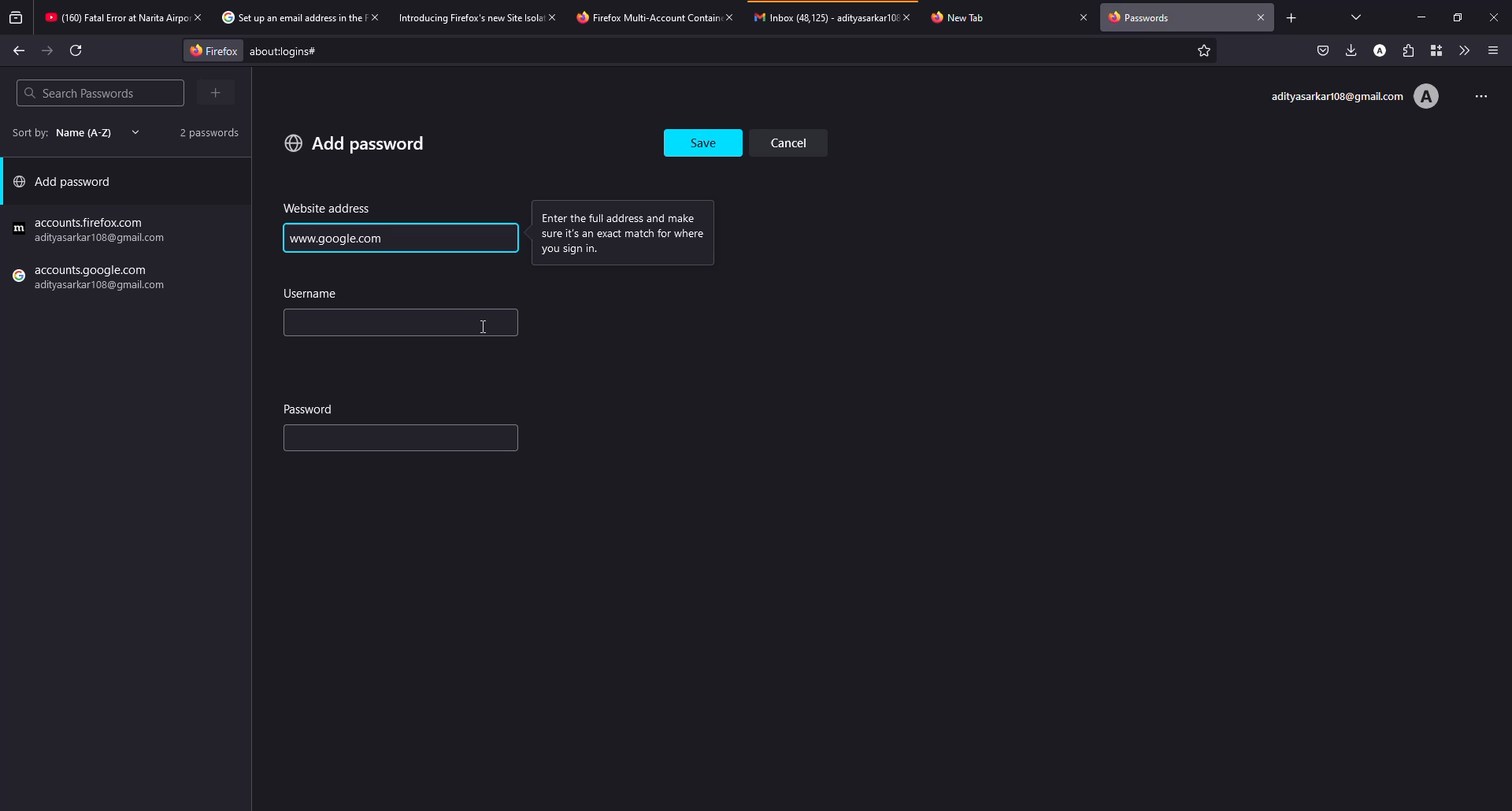 This screenshot has height=811, width=1512. Describe the element at coordinates (1357, 17) in the screenshot. I see `view tab` at that location.